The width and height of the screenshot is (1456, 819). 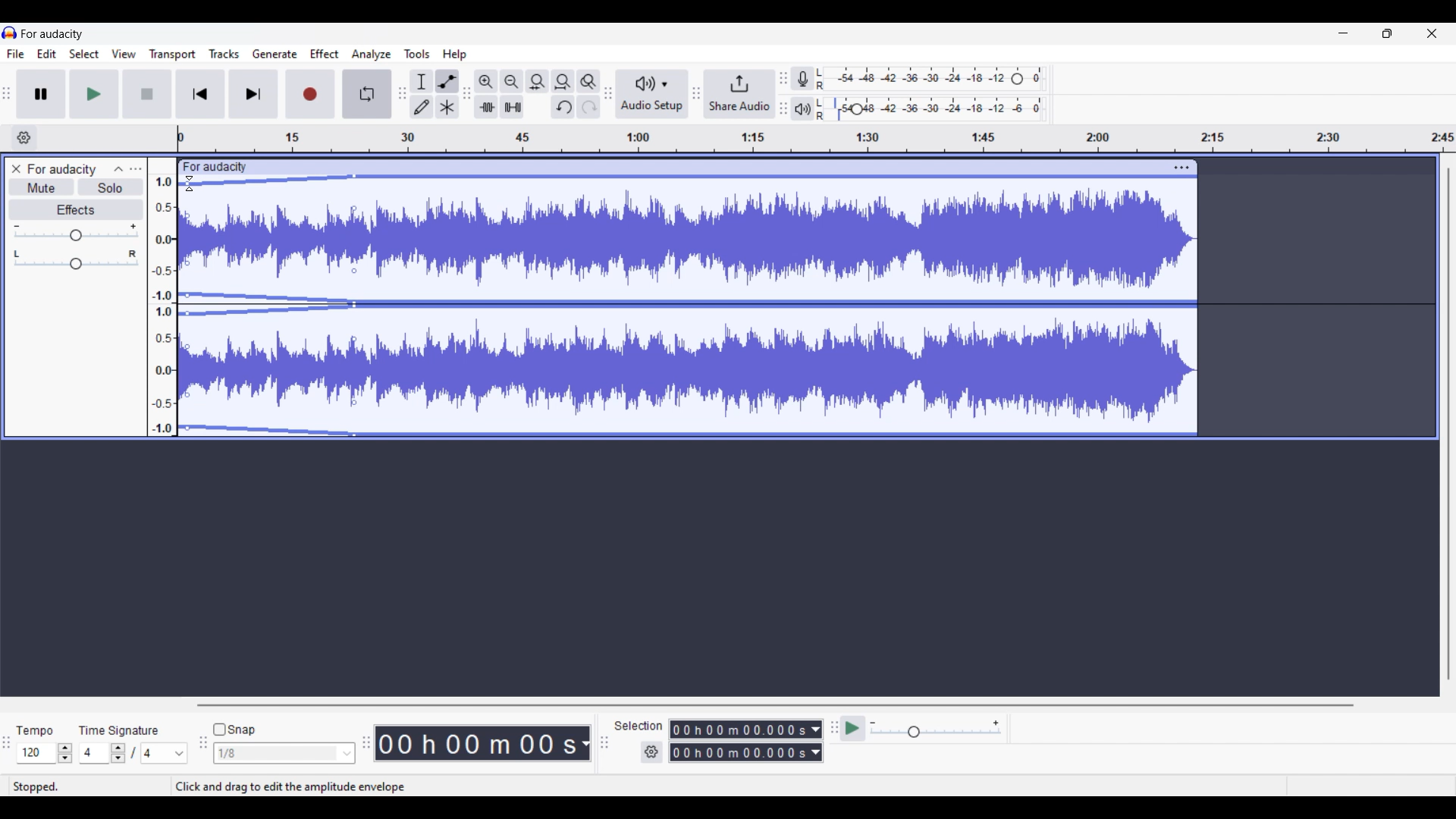 What do you see at coordinates (163, 305) in the screenshot?
I see `amplitude` at bounding box center [163, 305].